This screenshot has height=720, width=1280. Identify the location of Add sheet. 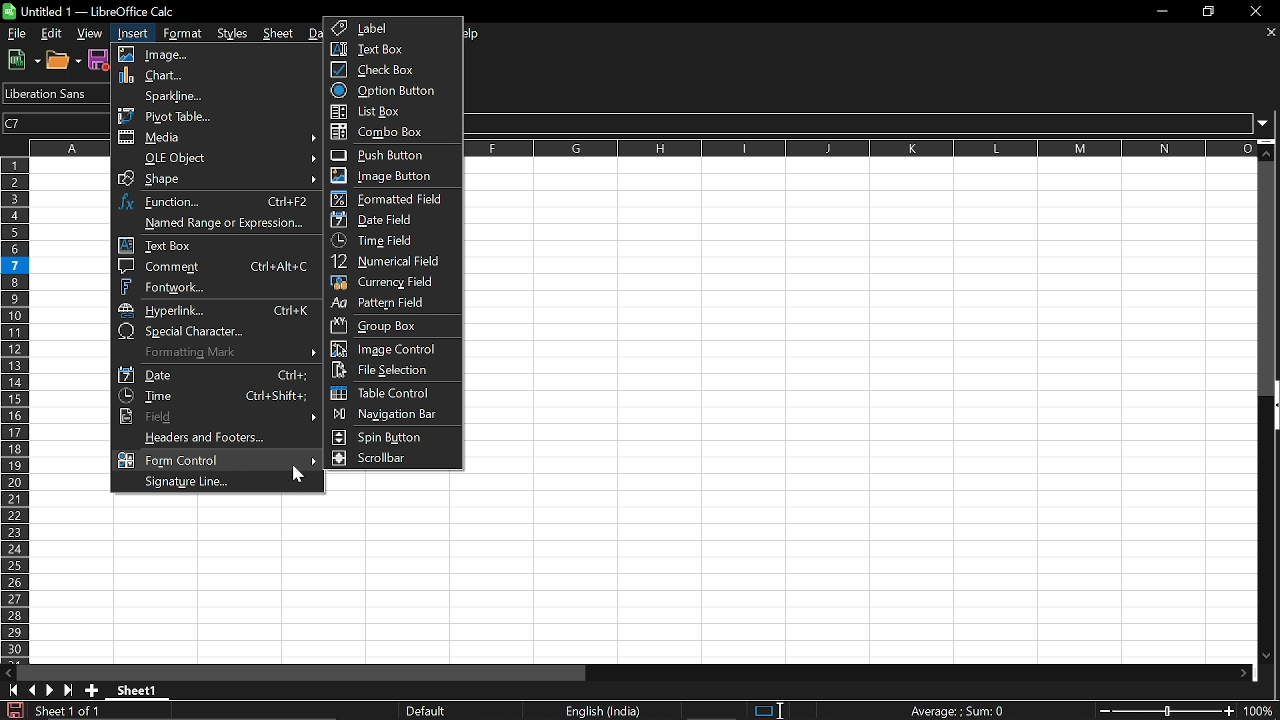
(91, 690).